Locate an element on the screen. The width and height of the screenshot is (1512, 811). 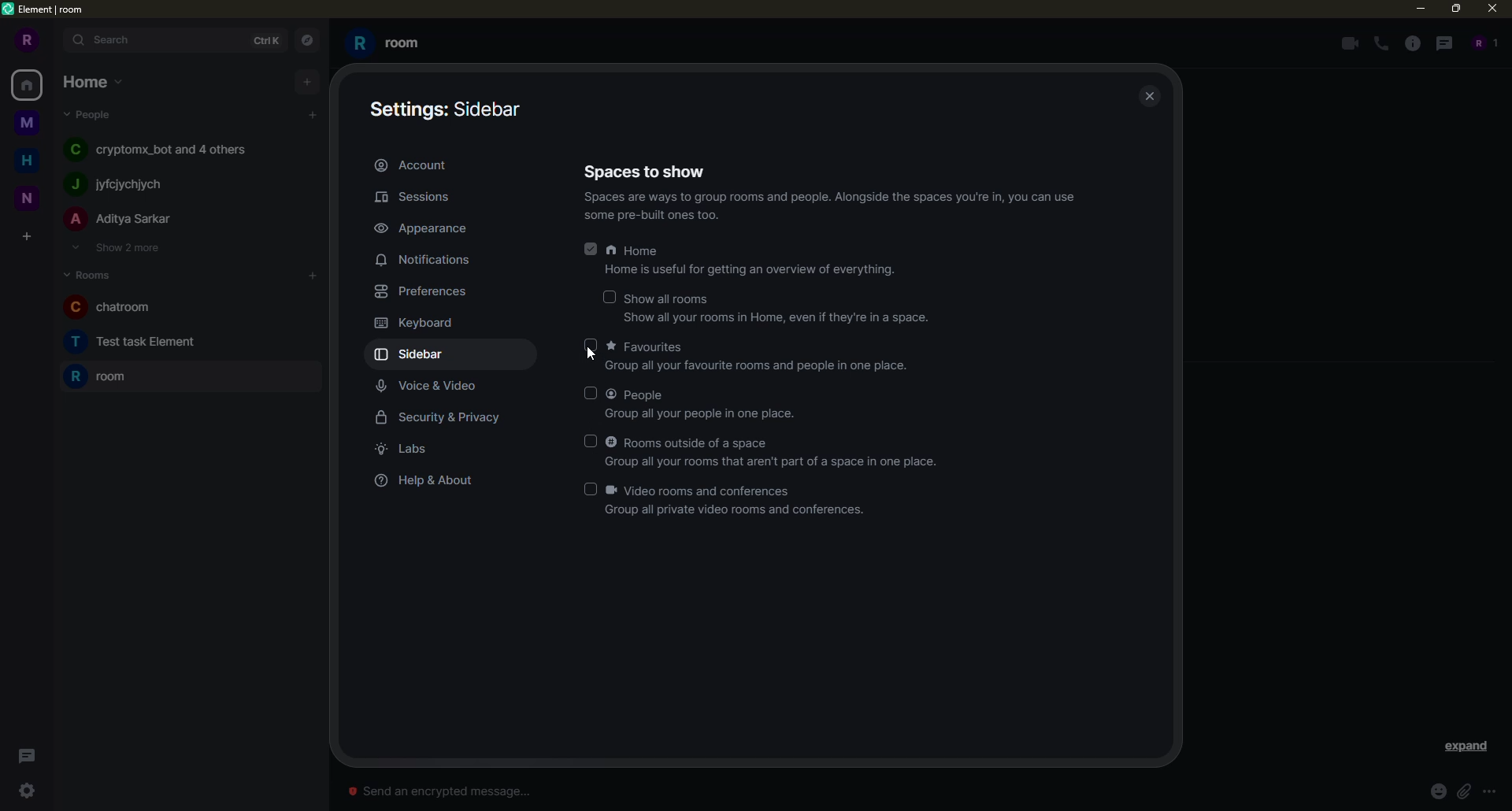
video rooms is located at coordinates (705, 490).